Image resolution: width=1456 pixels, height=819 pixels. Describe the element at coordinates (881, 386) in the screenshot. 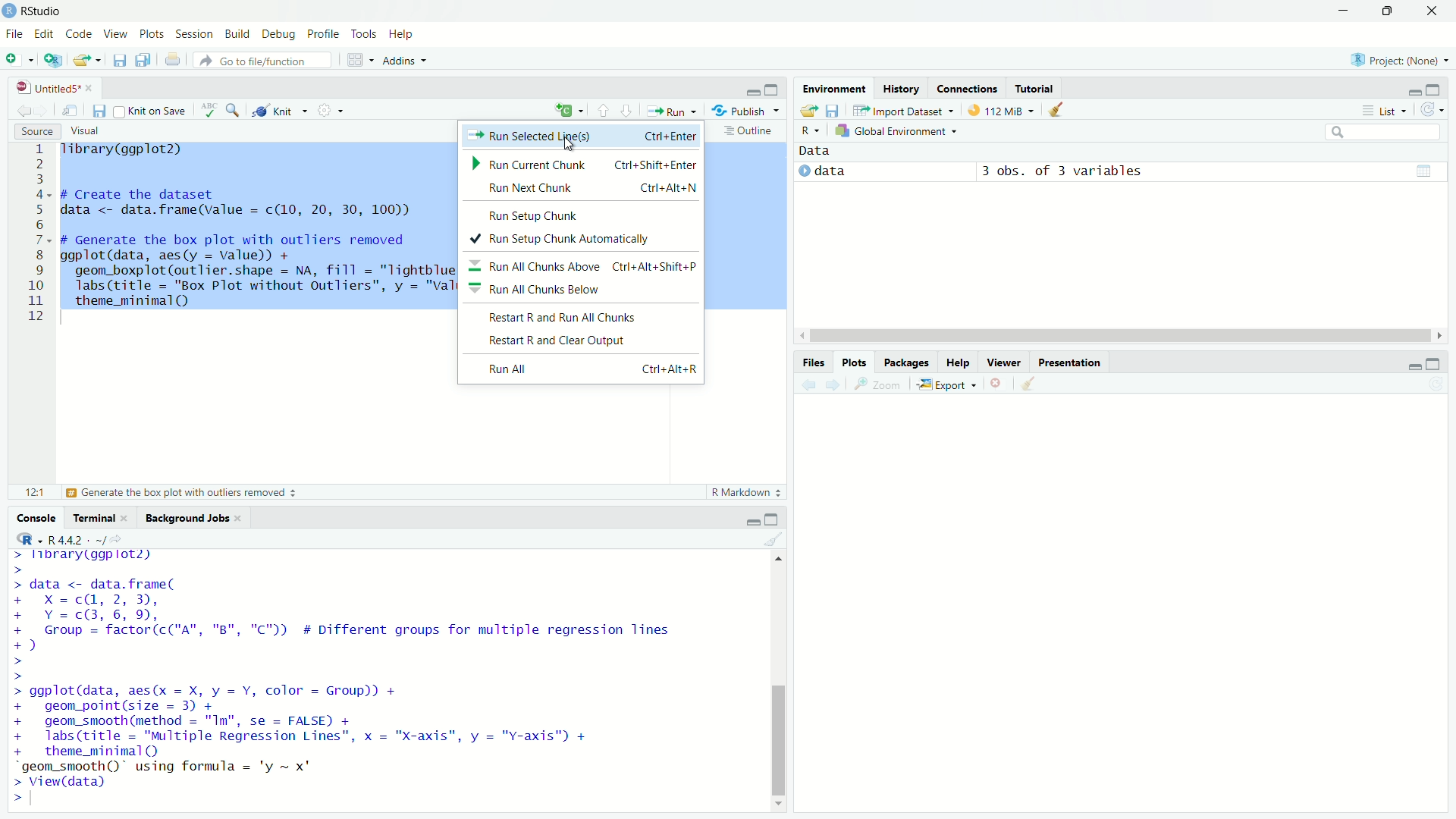

I see `zoom` at that location.